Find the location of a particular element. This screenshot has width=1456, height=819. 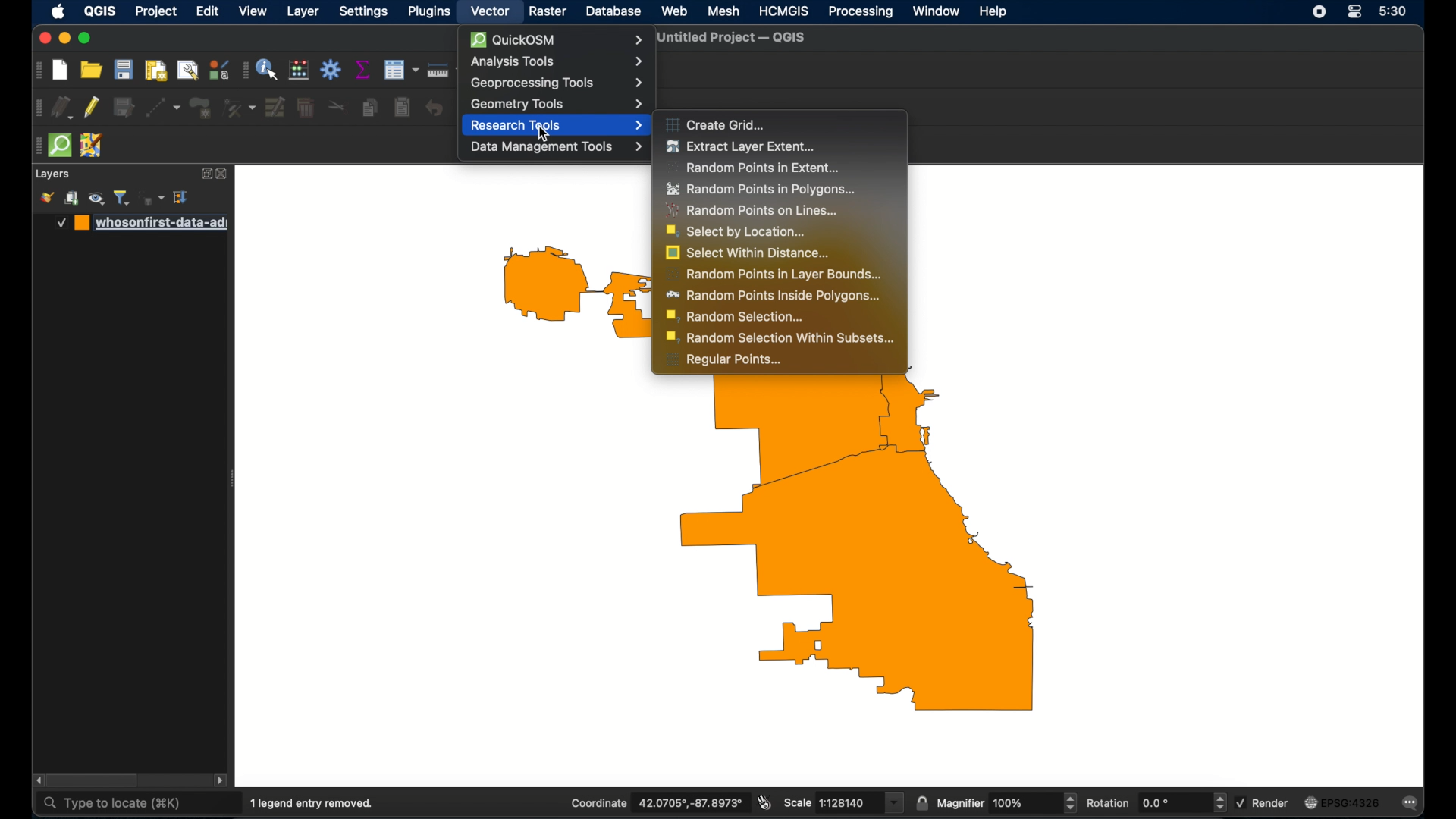

current crs is located at coordinates (1341, 803).